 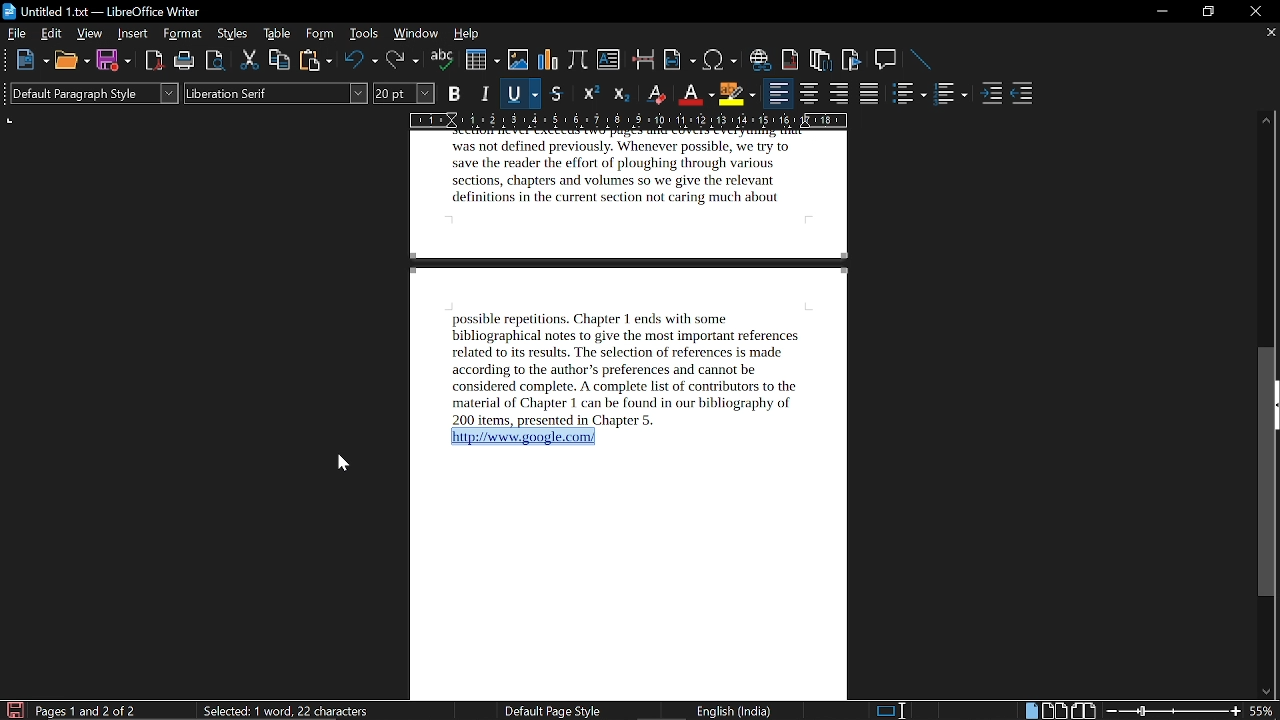 What do you see at coordinates (13, 710) in the screenshot?
I see `save` at bounding box center [13, 710].